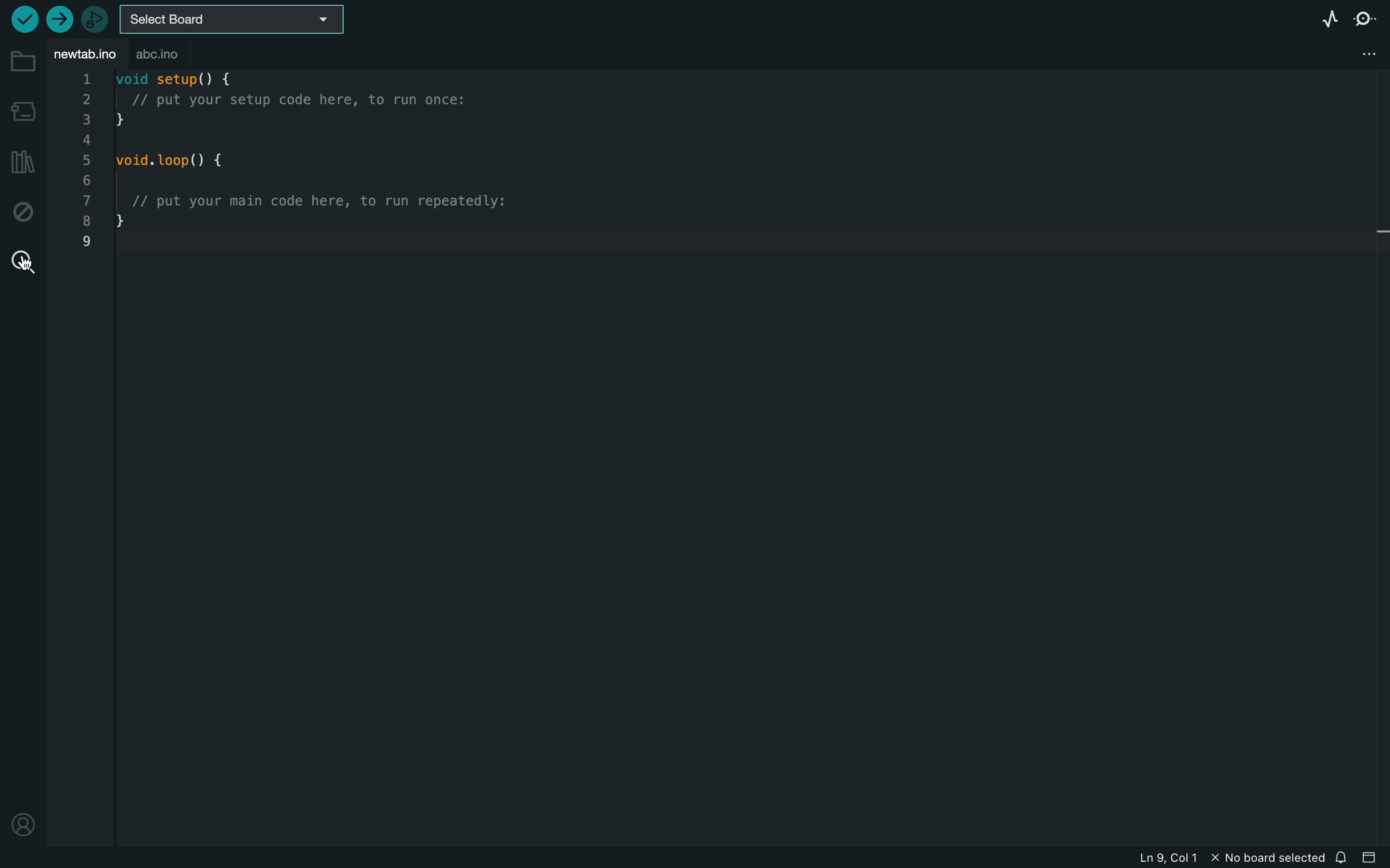 The image size is (1390, 868). Describe the element at coordinates (21, 212) in the screenshot. I see `debug` at that location.